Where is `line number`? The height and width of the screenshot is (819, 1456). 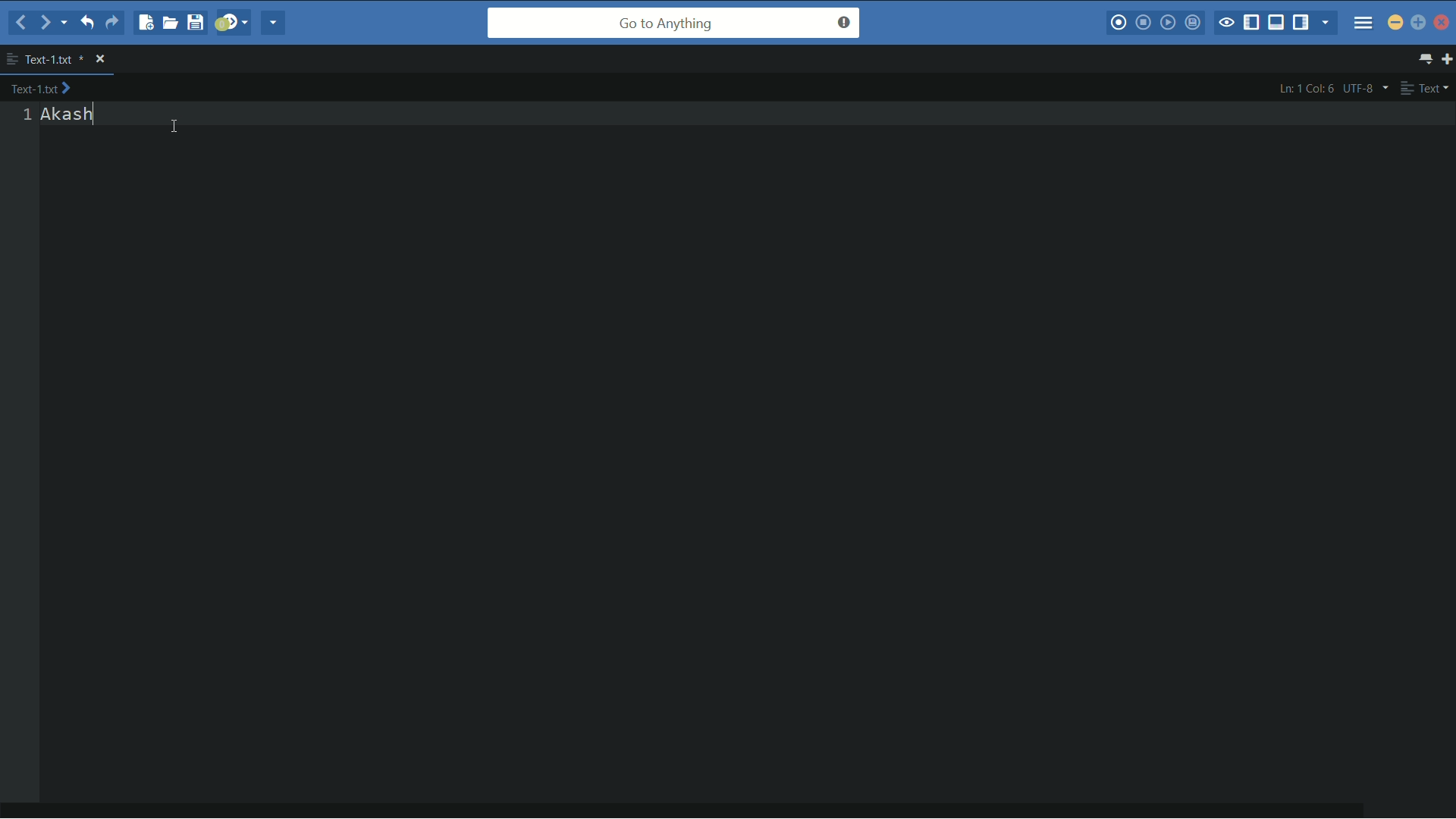
line number is located at coordinates (26, 114).